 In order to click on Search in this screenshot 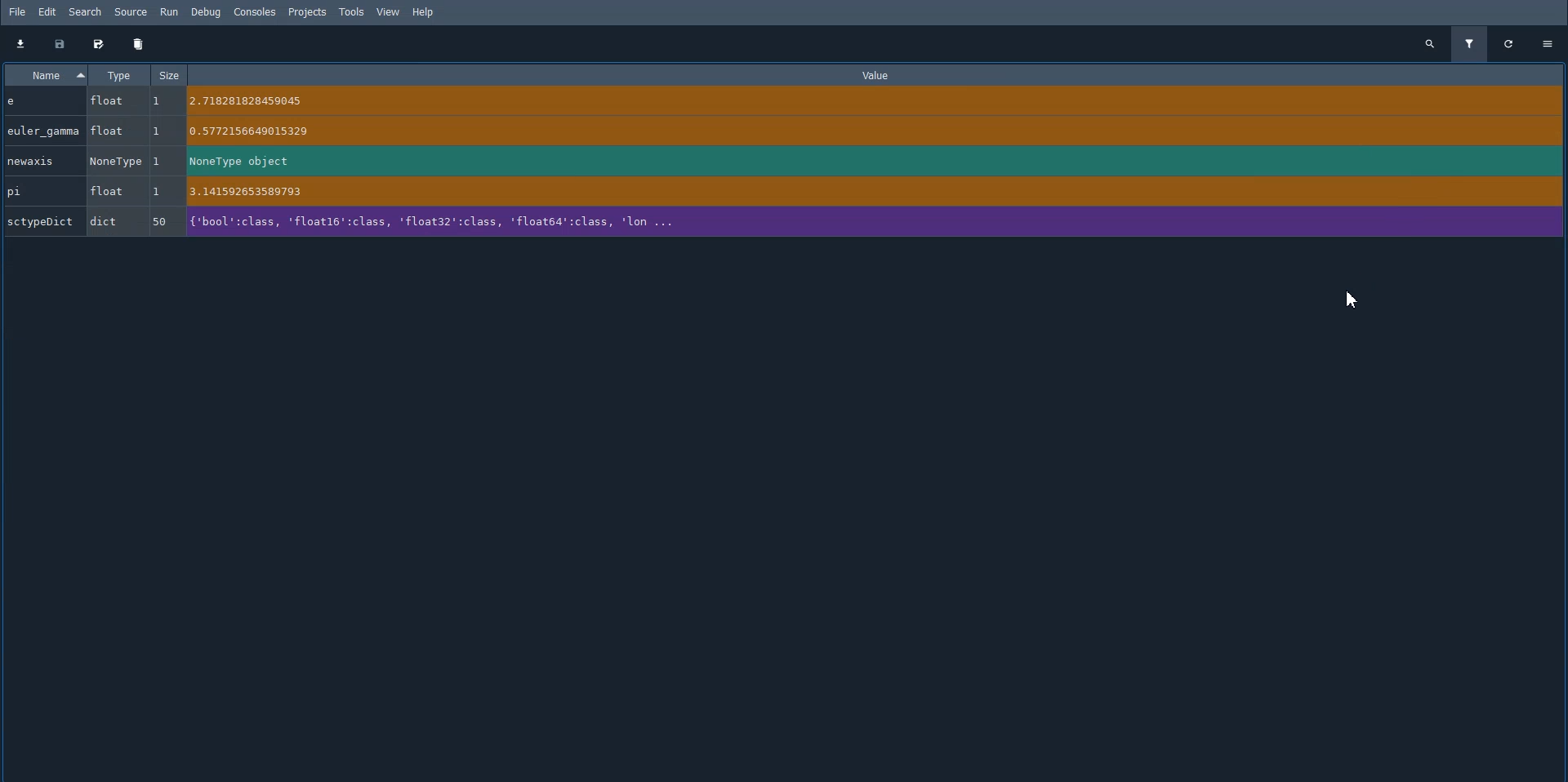, I will do `click(86, 12)`.